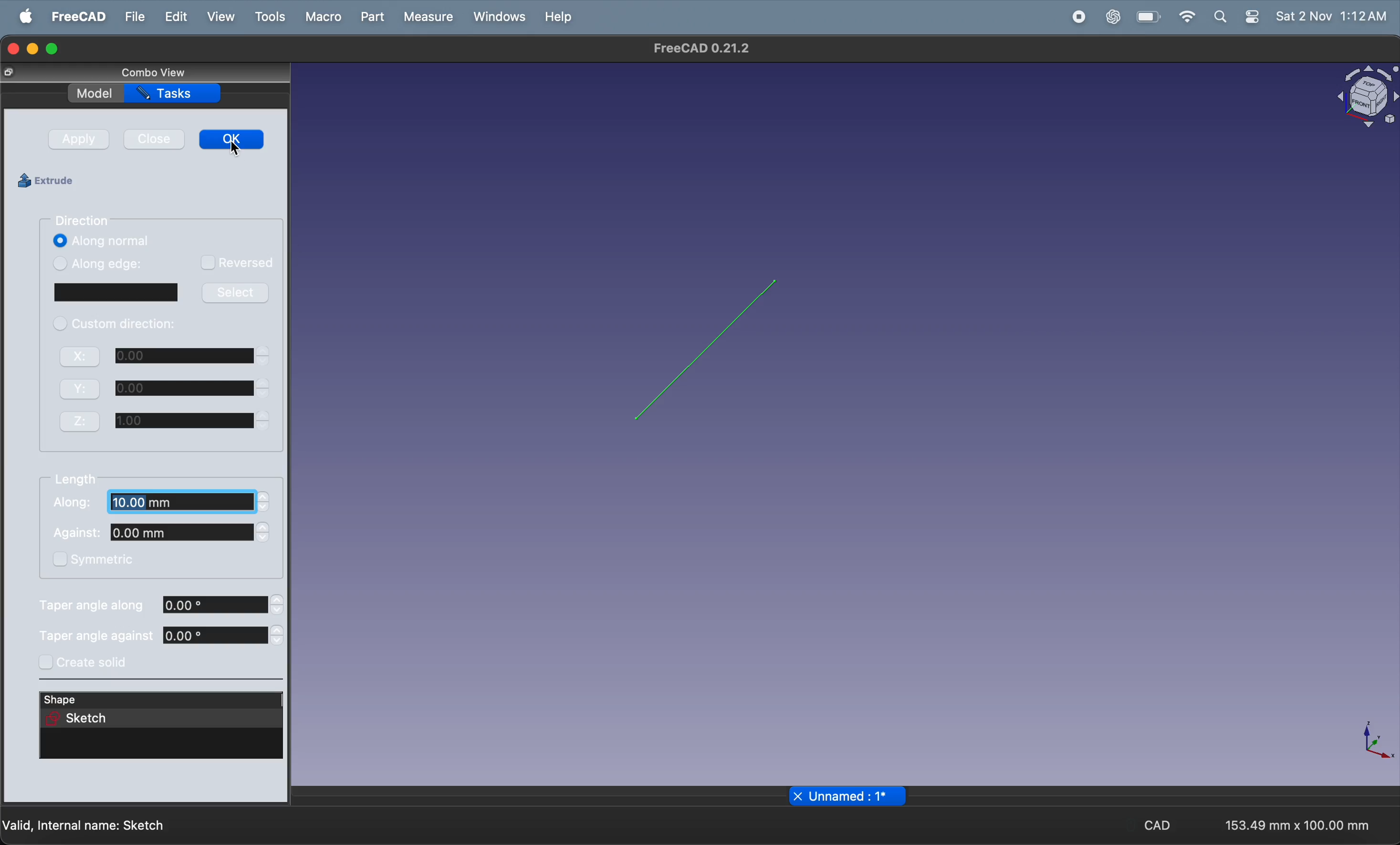 This screenshot has width=1400, height=845. Describe the element at coordinates (63, 698) in the screenshot. I see `shape` at that location.